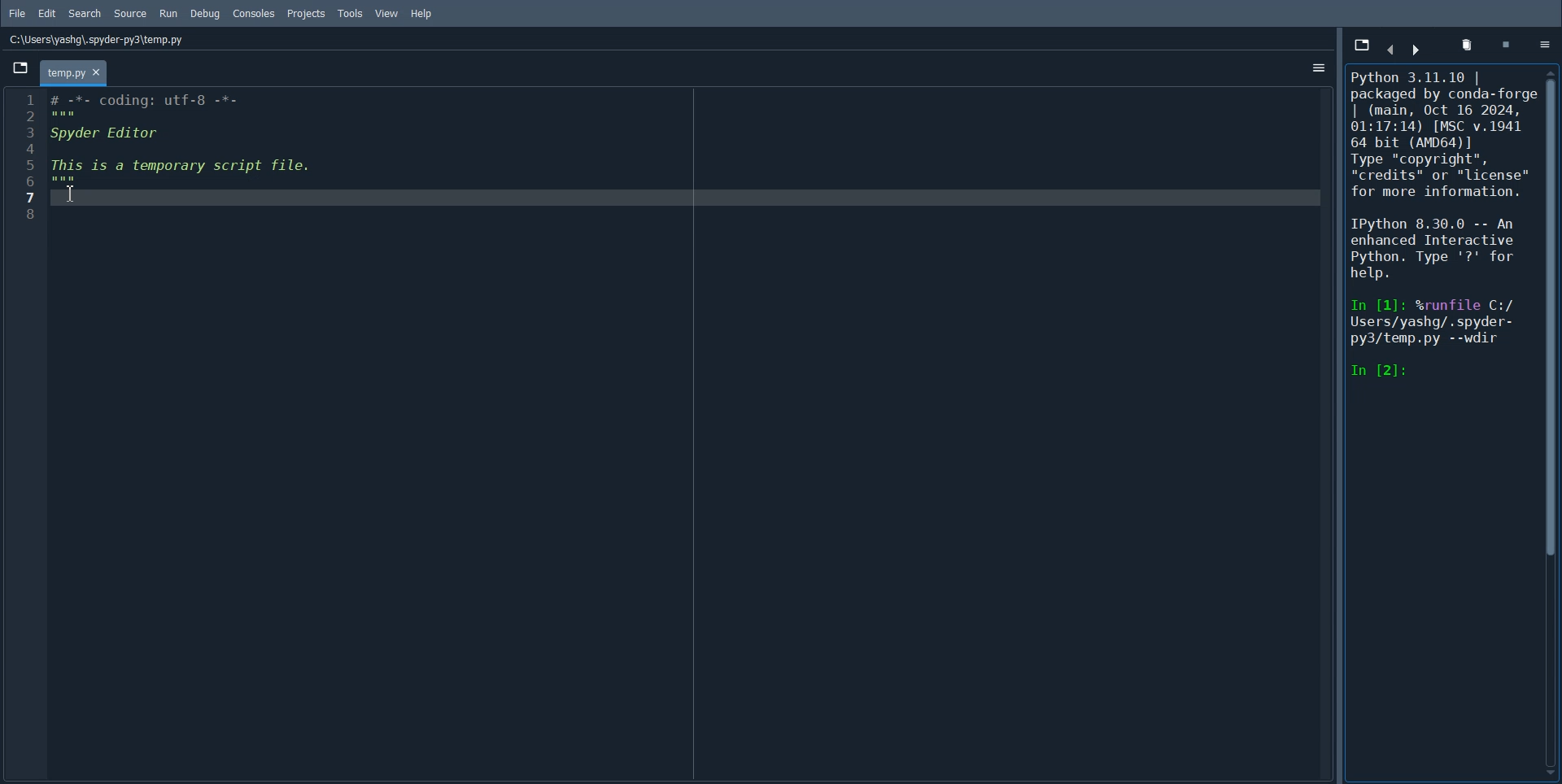 The image size is (1562, 784). What do you see at coordinates (133, 14) in the screenshot?
I see `Source` at bounding box center [133, 14].